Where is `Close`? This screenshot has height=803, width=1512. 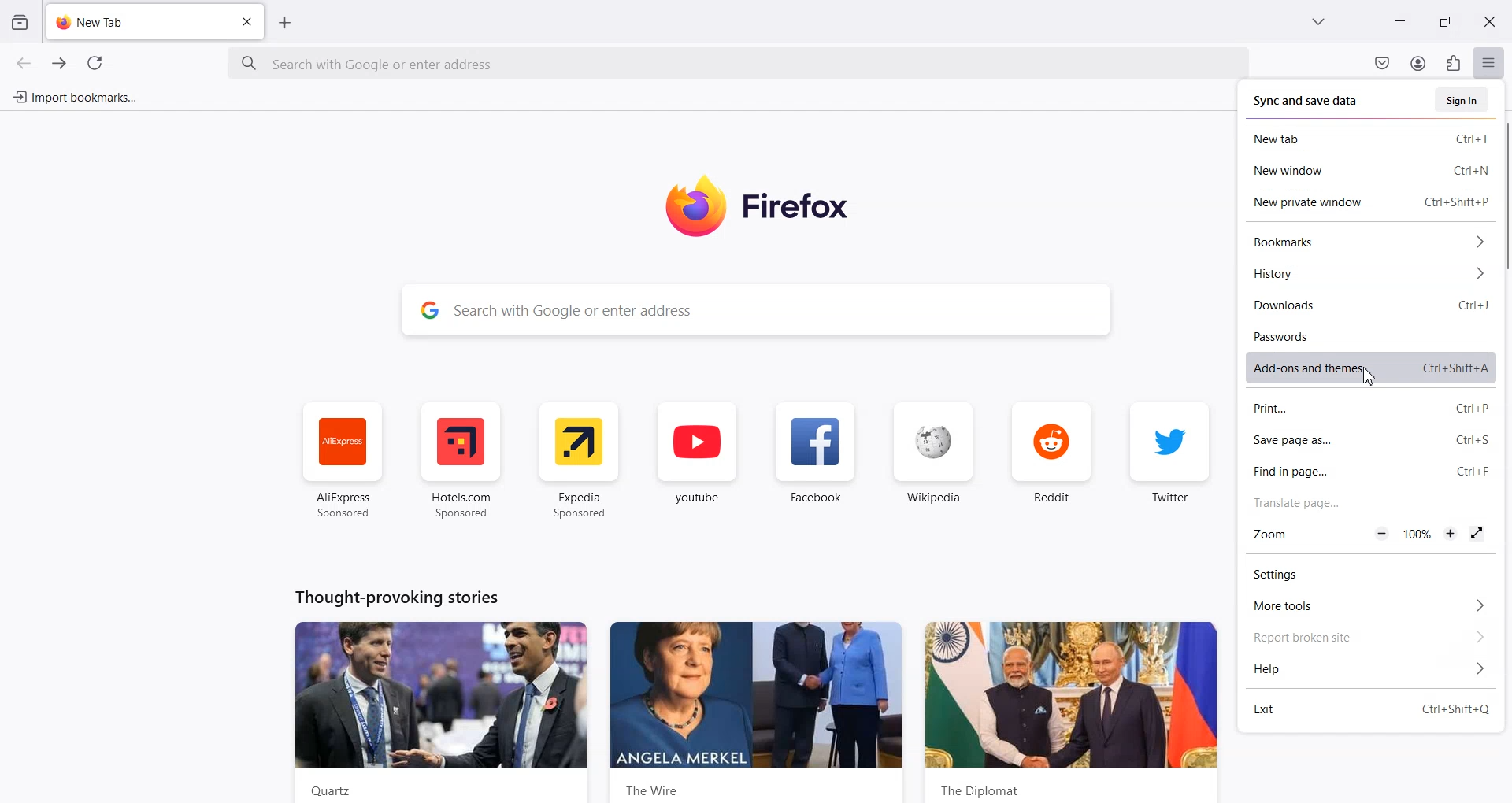 Close is located at coordinates (1489, 20).